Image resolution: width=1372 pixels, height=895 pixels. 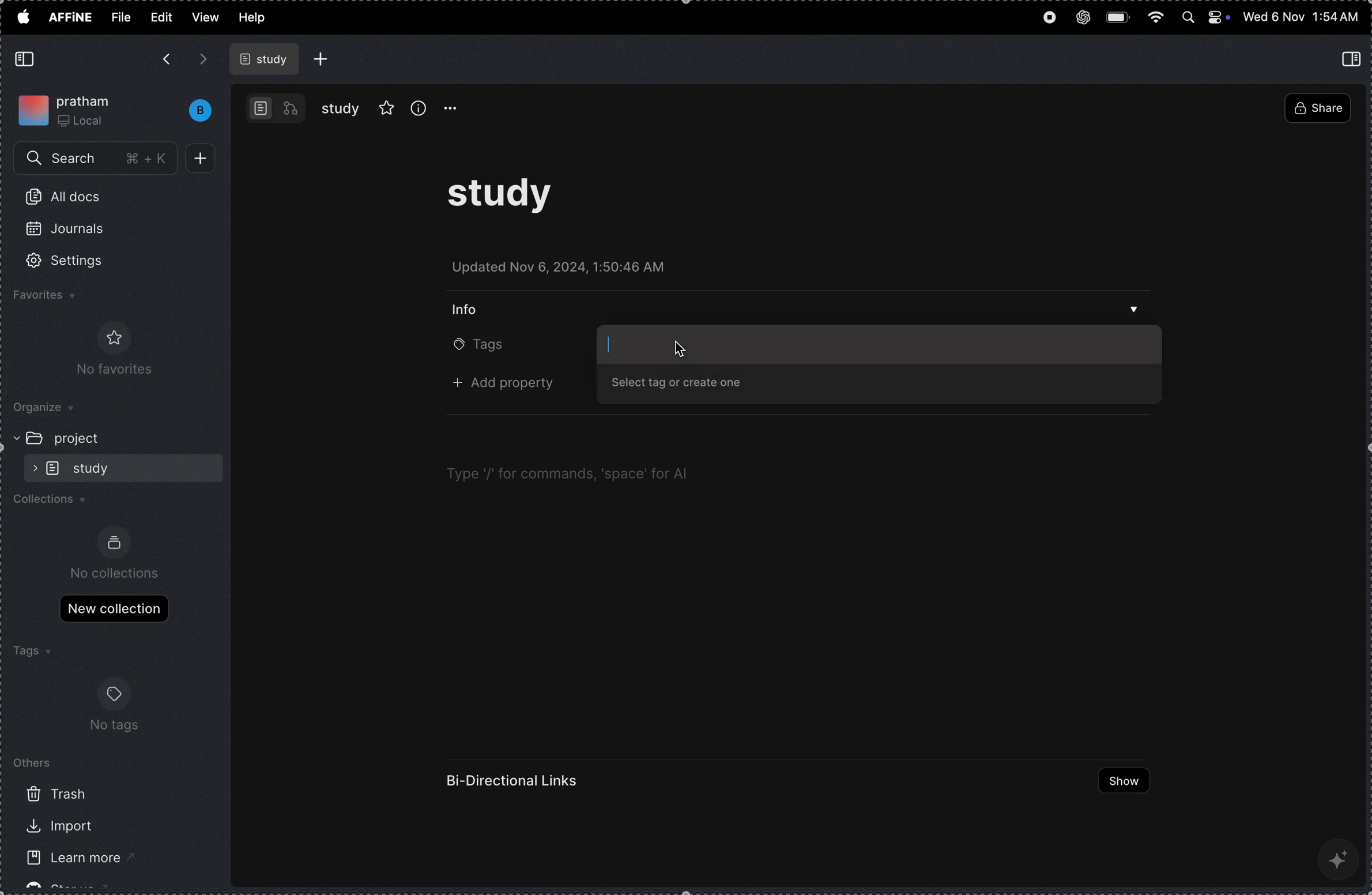 What do you see at coordinates (1301, 17) in the screenshot?
I see `time and date` at bounding box center [1301, 17].